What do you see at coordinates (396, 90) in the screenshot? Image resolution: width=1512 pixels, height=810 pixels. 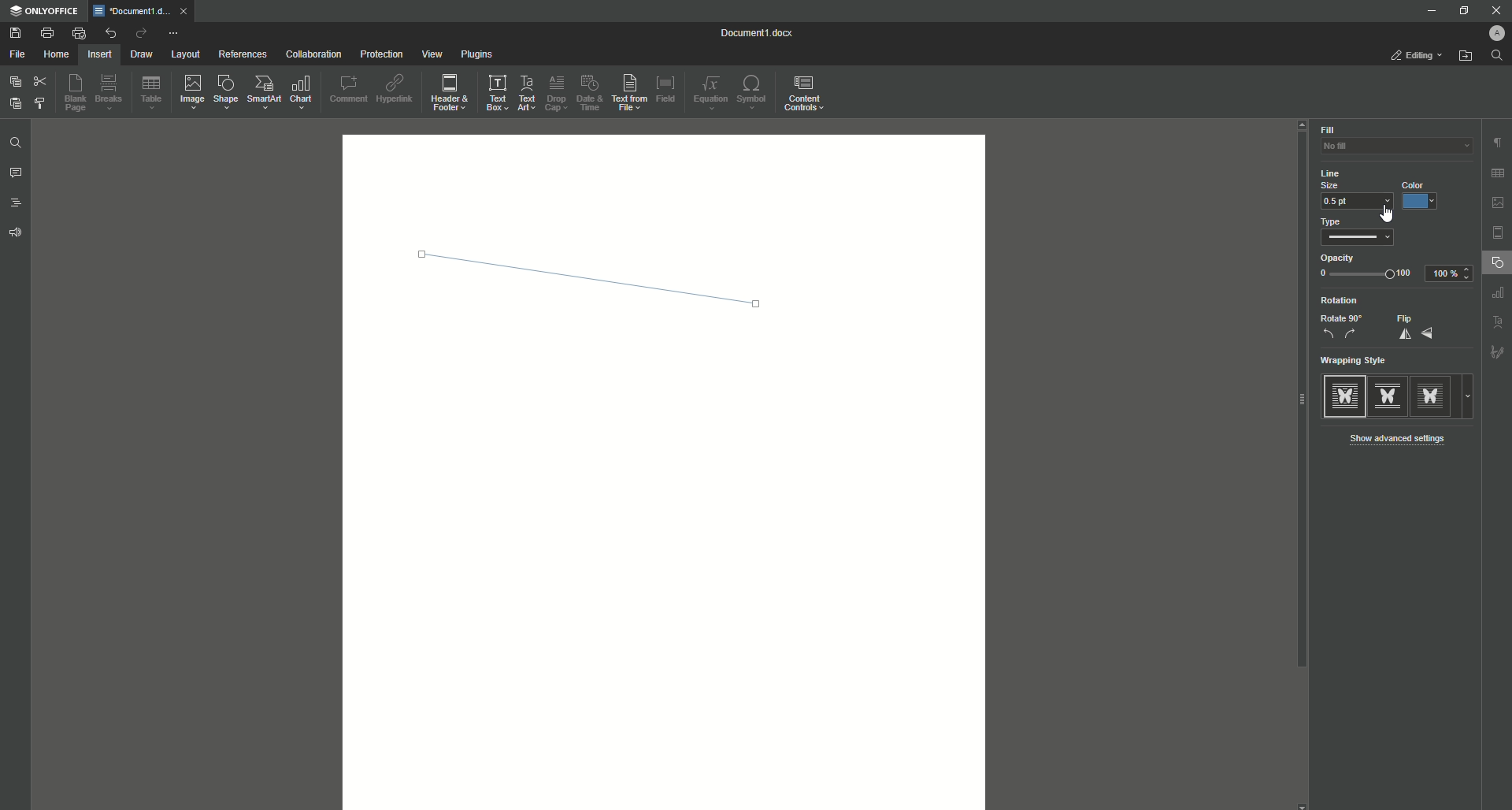 I see `Hyperlink` at bounding box center [396, 90].